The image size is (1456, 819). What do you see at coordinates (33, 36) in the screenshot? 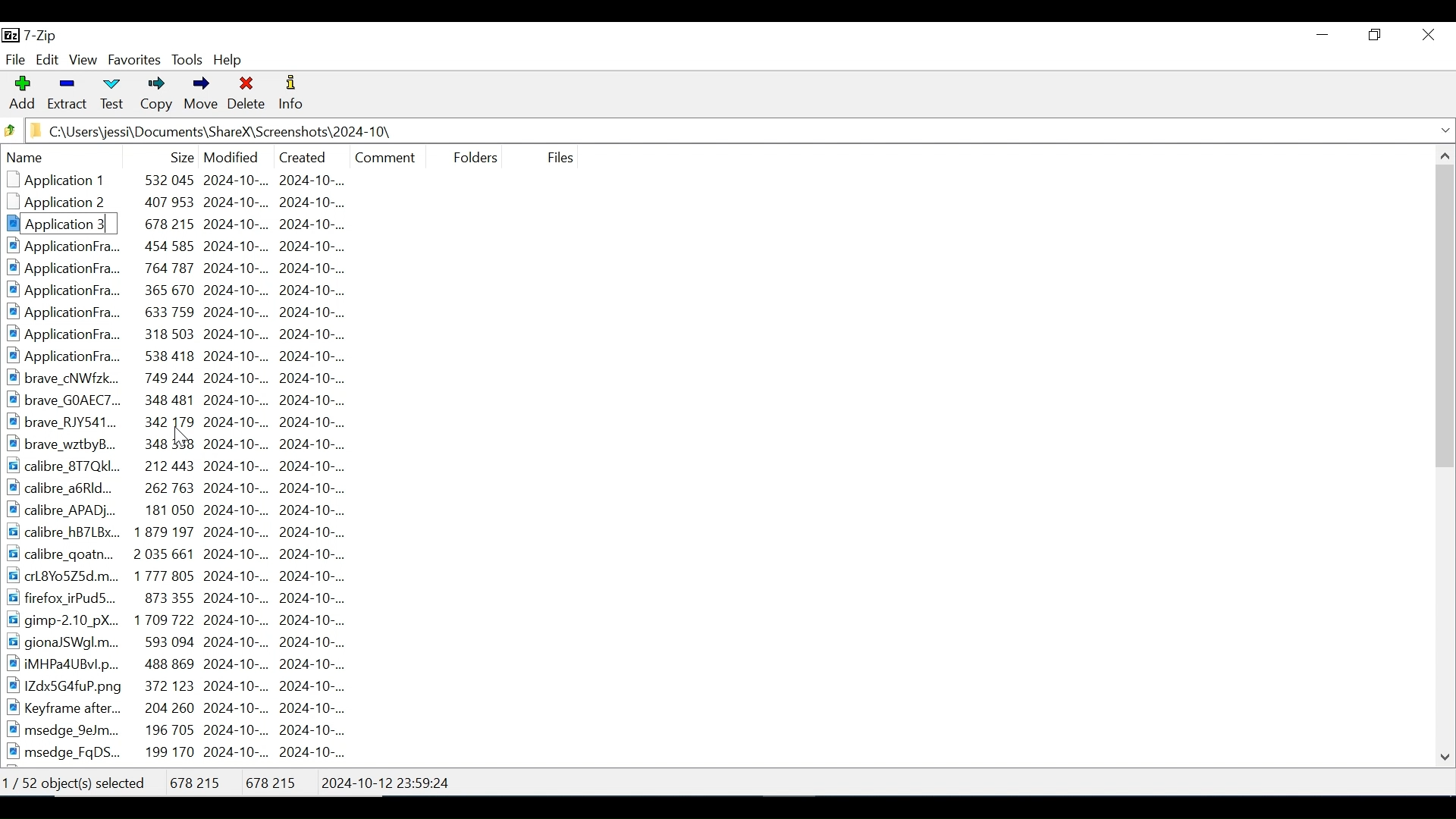
I see `7-Zip Desktop Icon` at bounding box center [33, 36].